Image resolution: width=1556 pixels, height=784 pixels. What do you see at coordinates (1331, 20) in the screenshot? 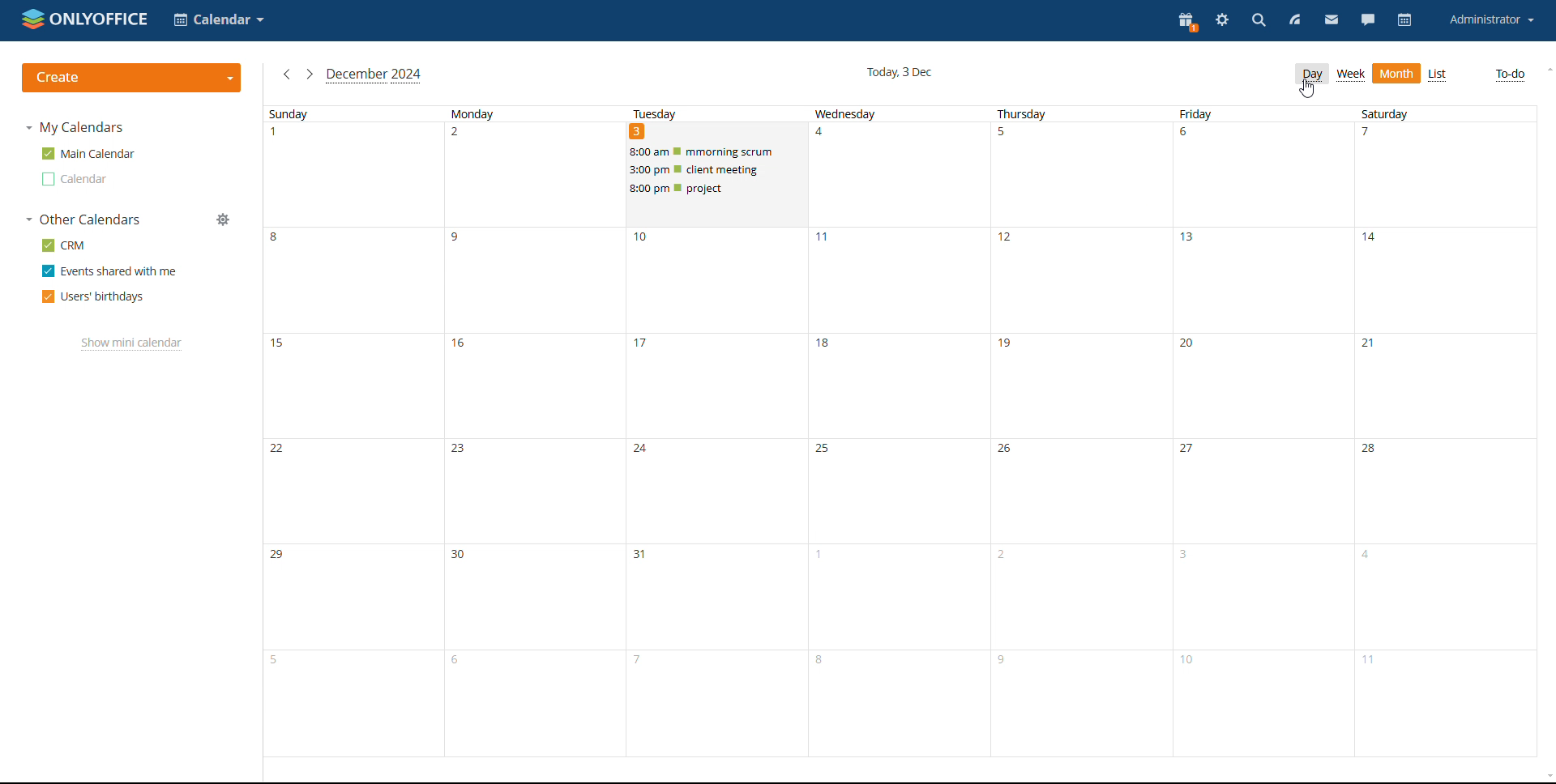
I see `mail` at bounding box center [1331, 20].